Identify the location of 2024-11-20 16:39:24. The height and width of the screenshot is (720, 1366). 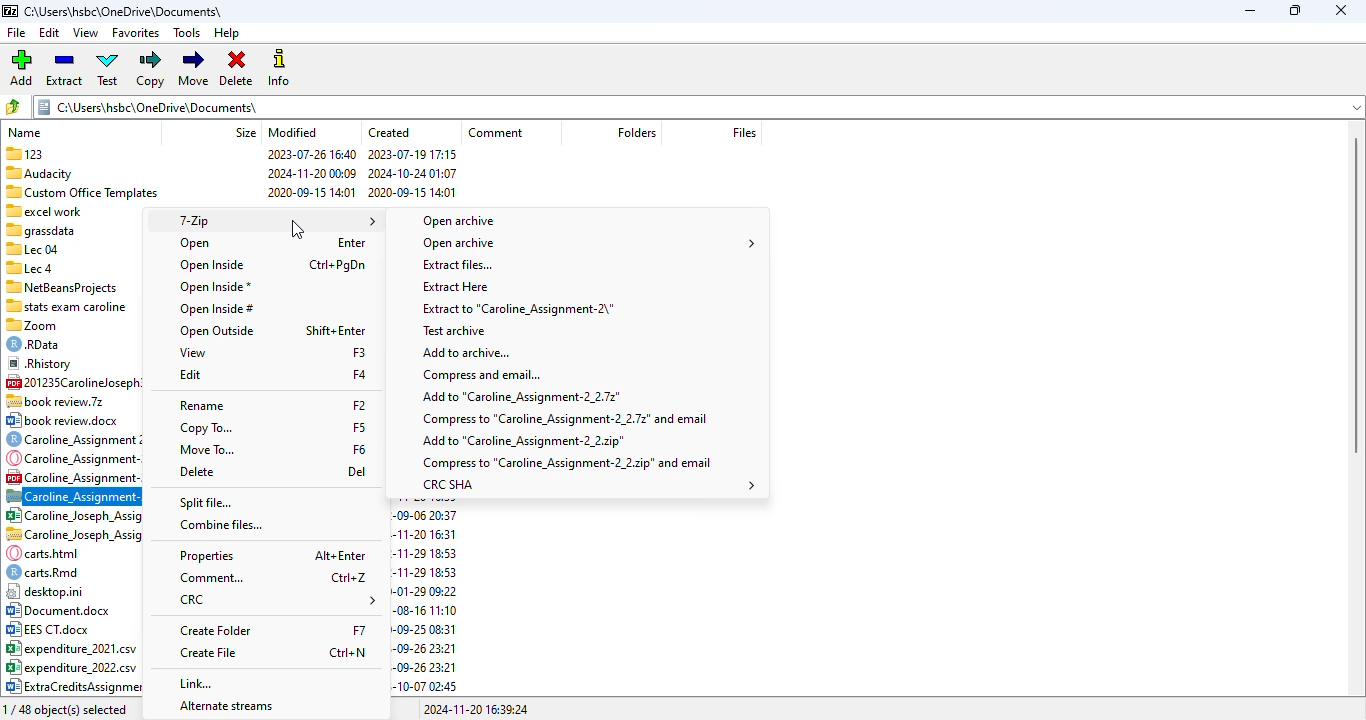
(475, 710).